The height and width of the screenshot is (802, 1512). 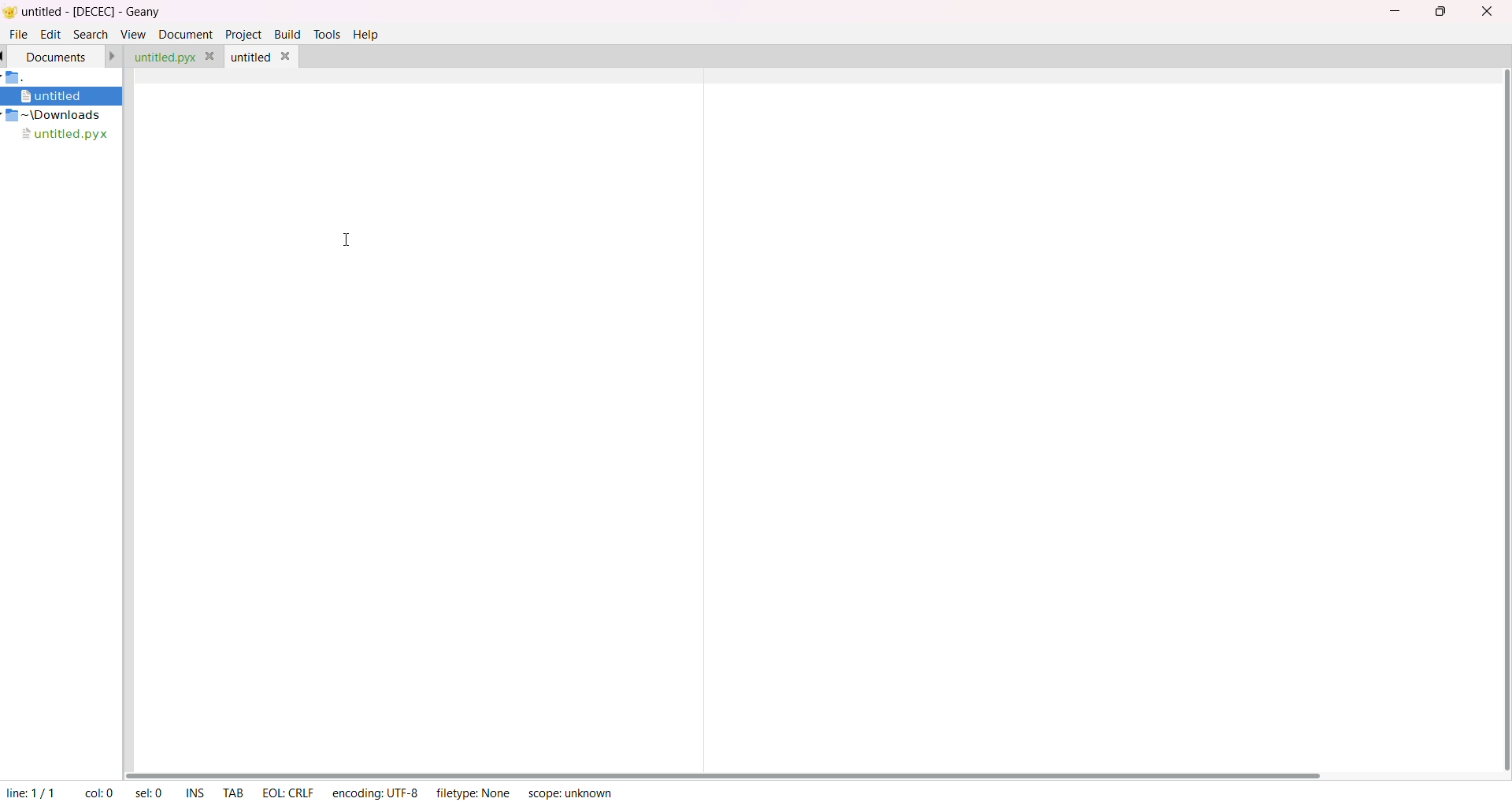 I want to click on tab name, so click(x=166, y=57).